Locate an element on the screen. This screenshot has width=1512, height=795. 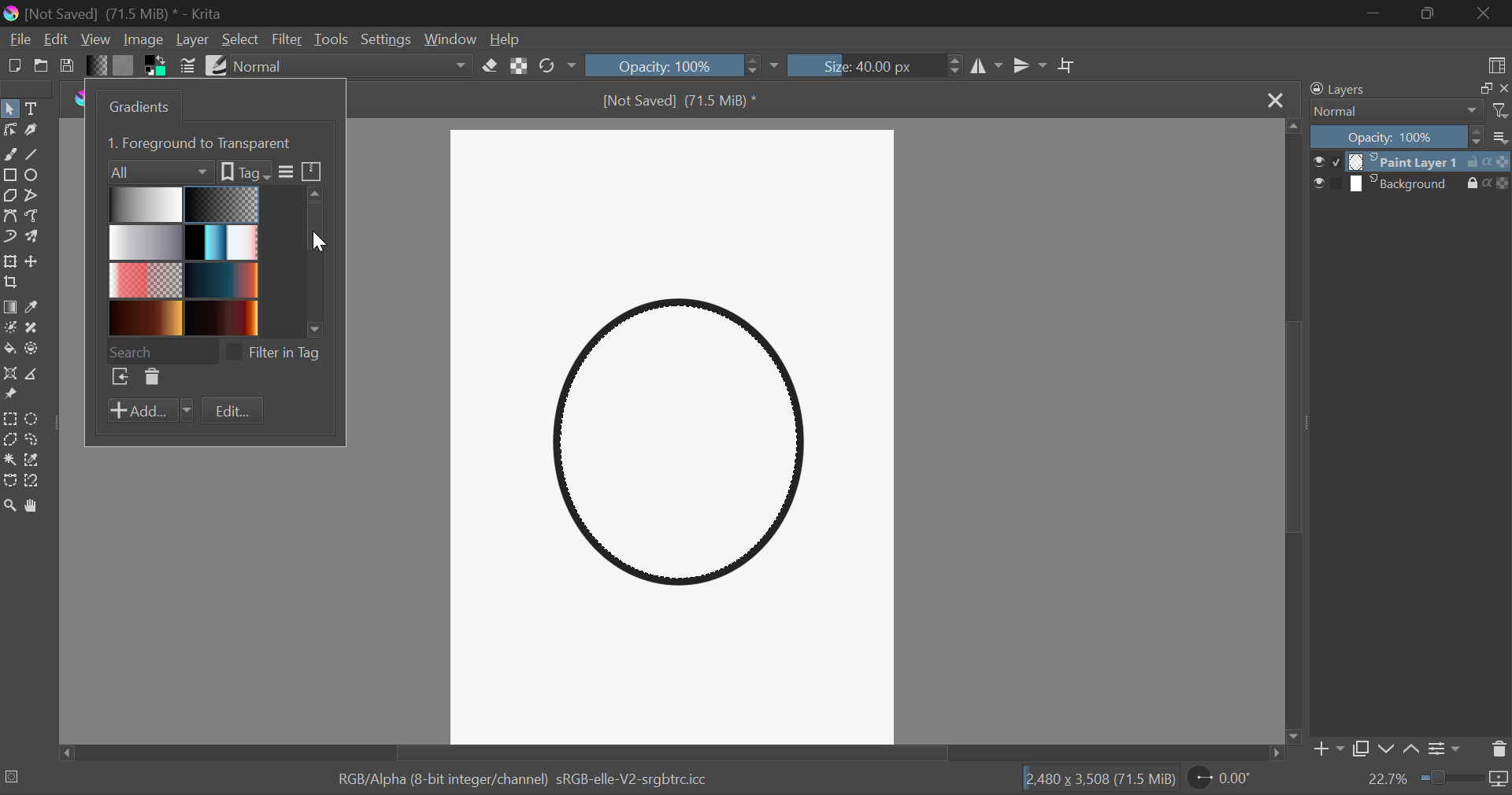
Pan is located at coordinates (35, 507).